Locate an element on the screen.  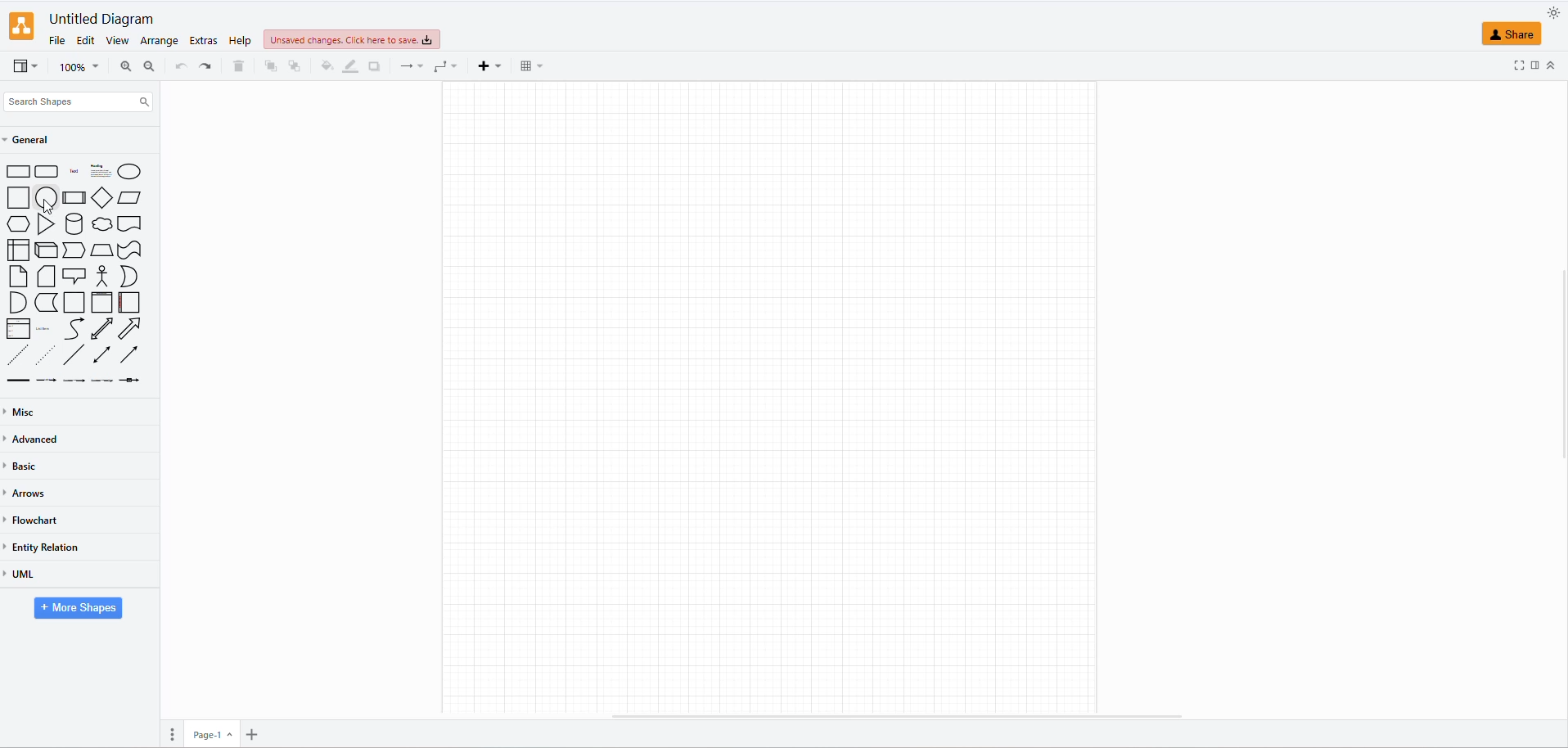
INSERT PAGE is located at coordinates (257, 732).